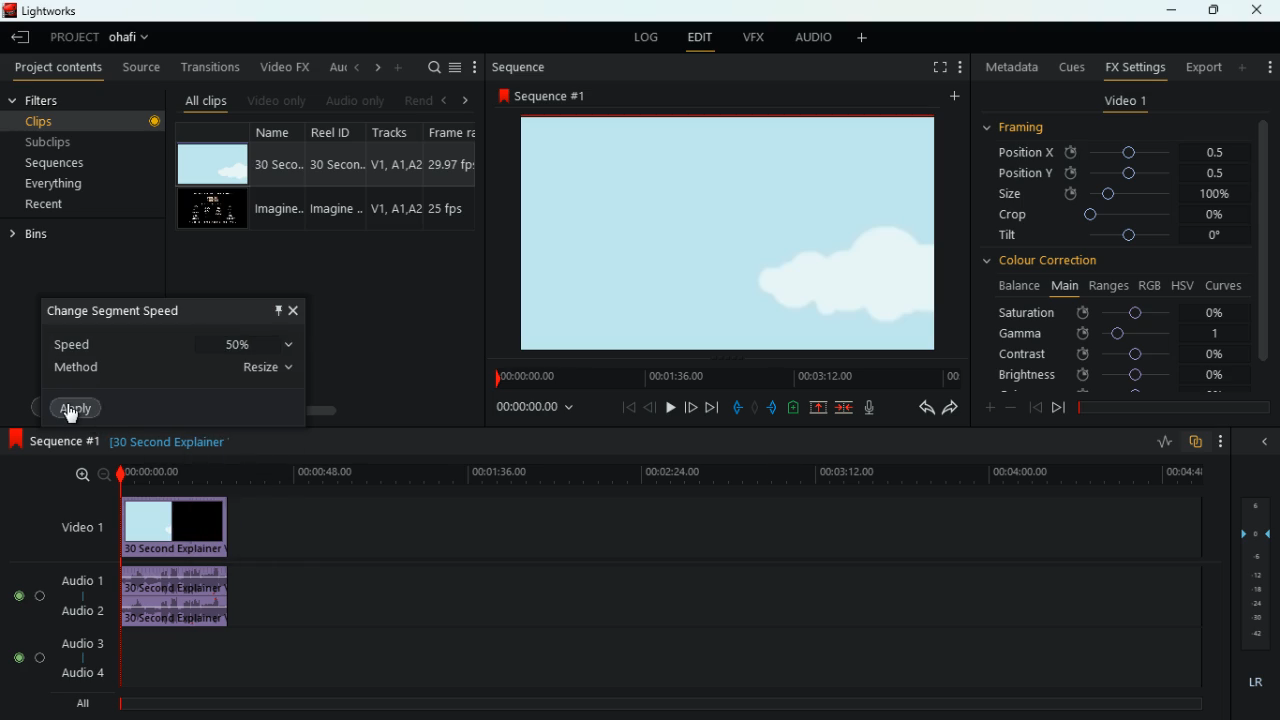 The height and width of the screenshot is (720, 1280). What do you see at coordinates (622, 409) in the screenshot?
I see `beggining` at bounding box center [622, 409].